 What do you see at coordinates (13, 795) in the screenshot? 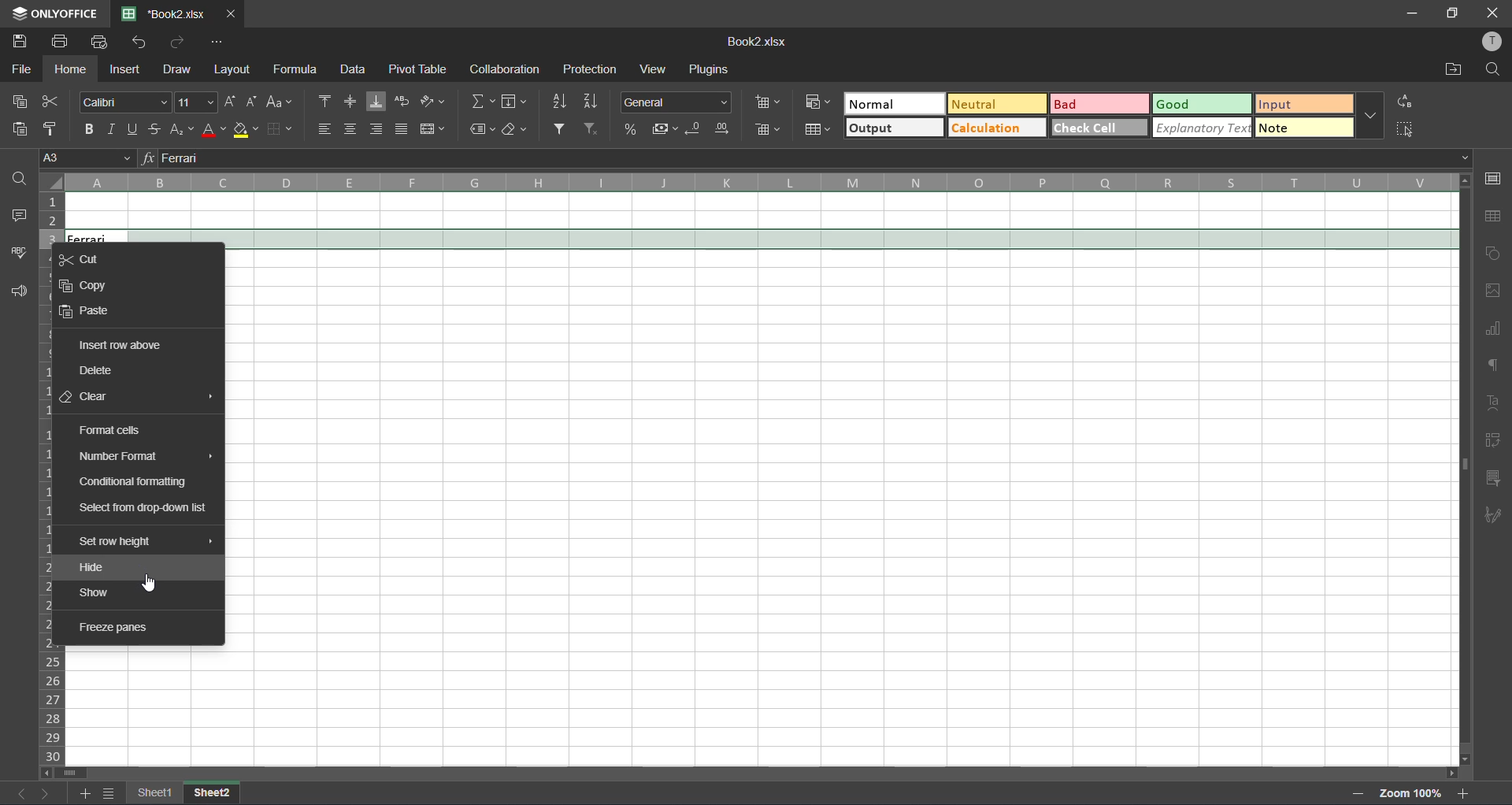
I see `previous` at bounding box center [13, 795].